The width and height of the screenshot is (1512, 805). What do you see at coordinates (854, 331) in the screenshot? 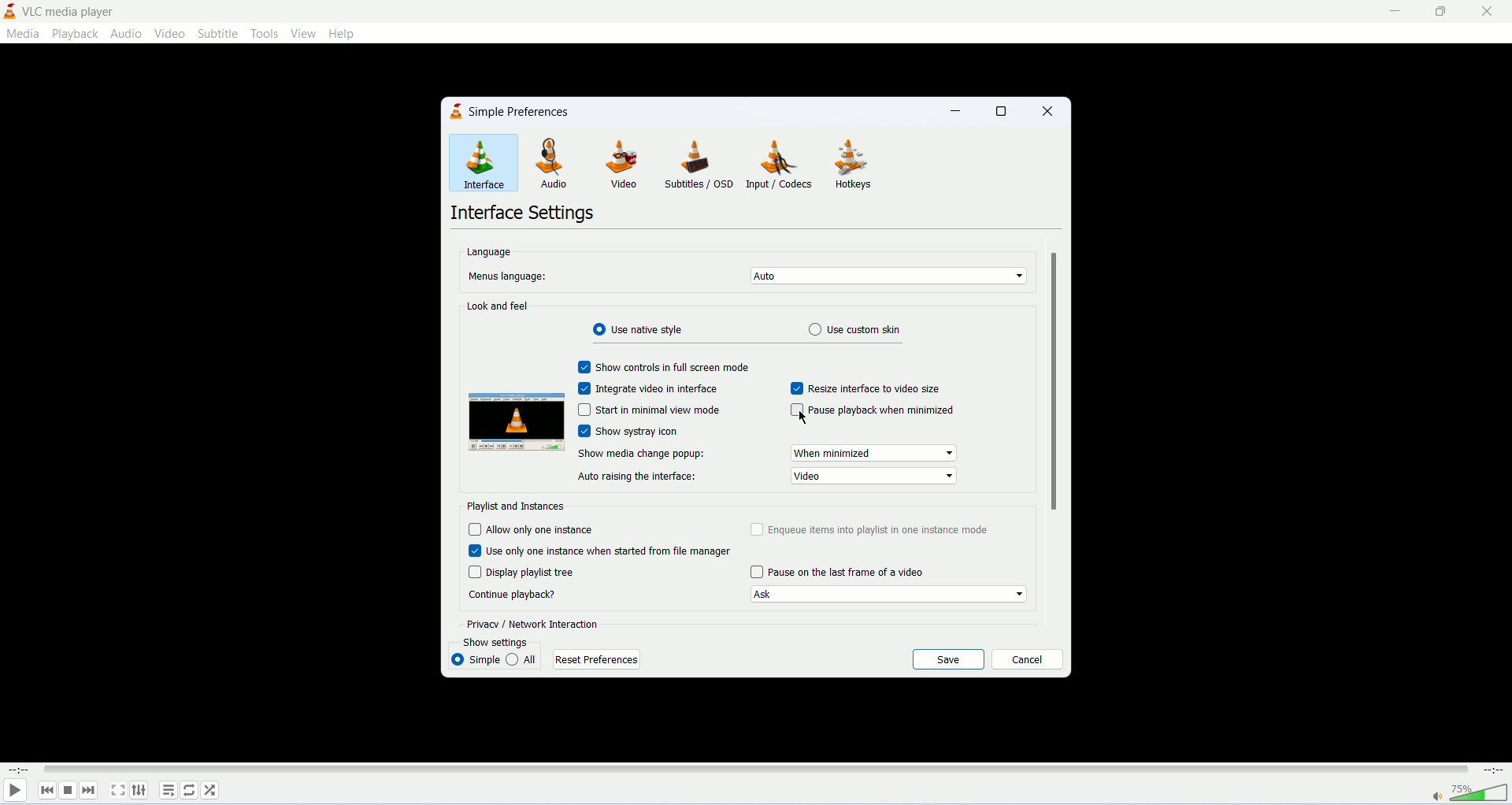
I see `Use custom skin` at bounding box center [854, 331].